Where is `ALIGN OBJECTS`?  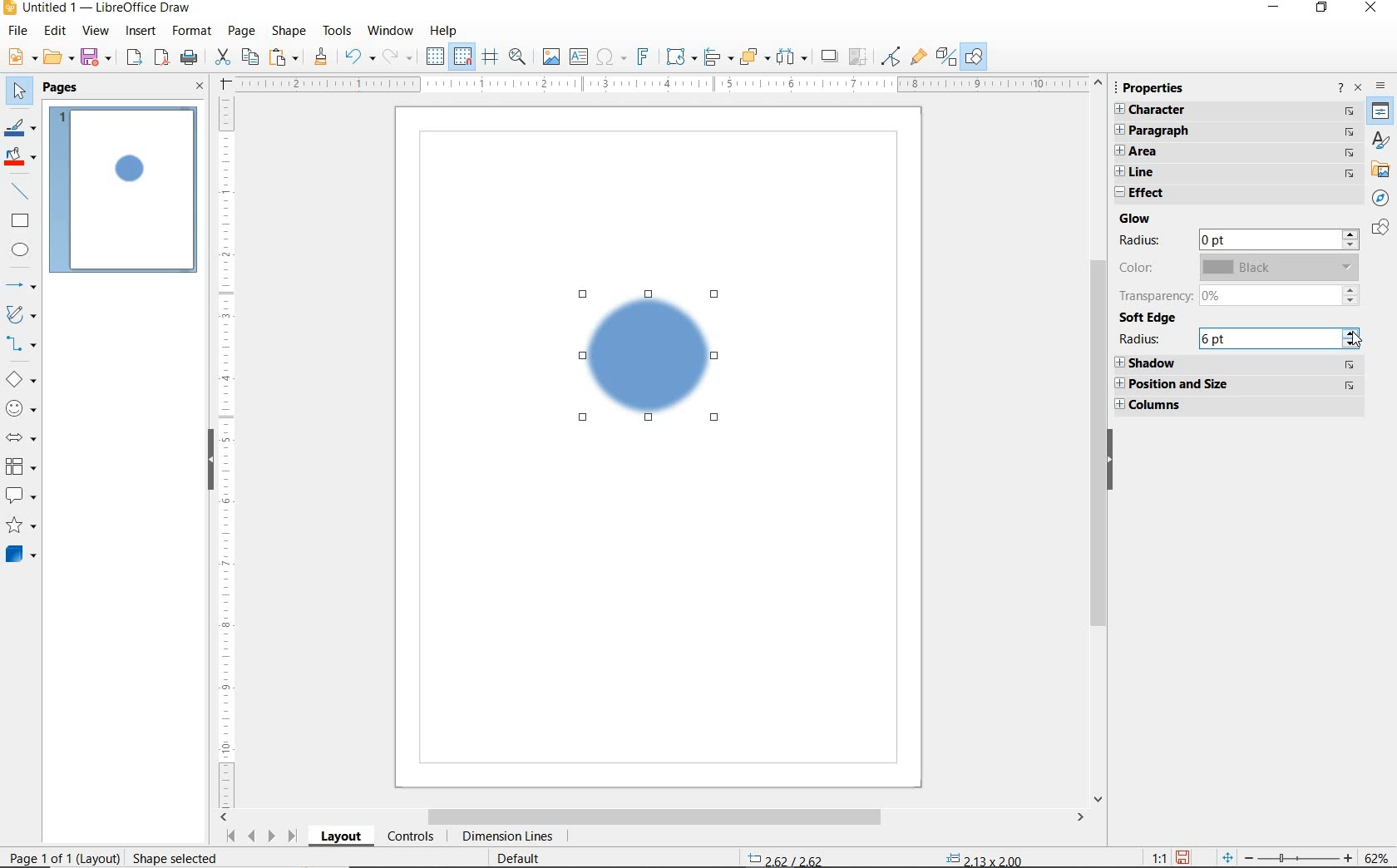
ALIGN OBJECTS is located at coordinates (718, 56).